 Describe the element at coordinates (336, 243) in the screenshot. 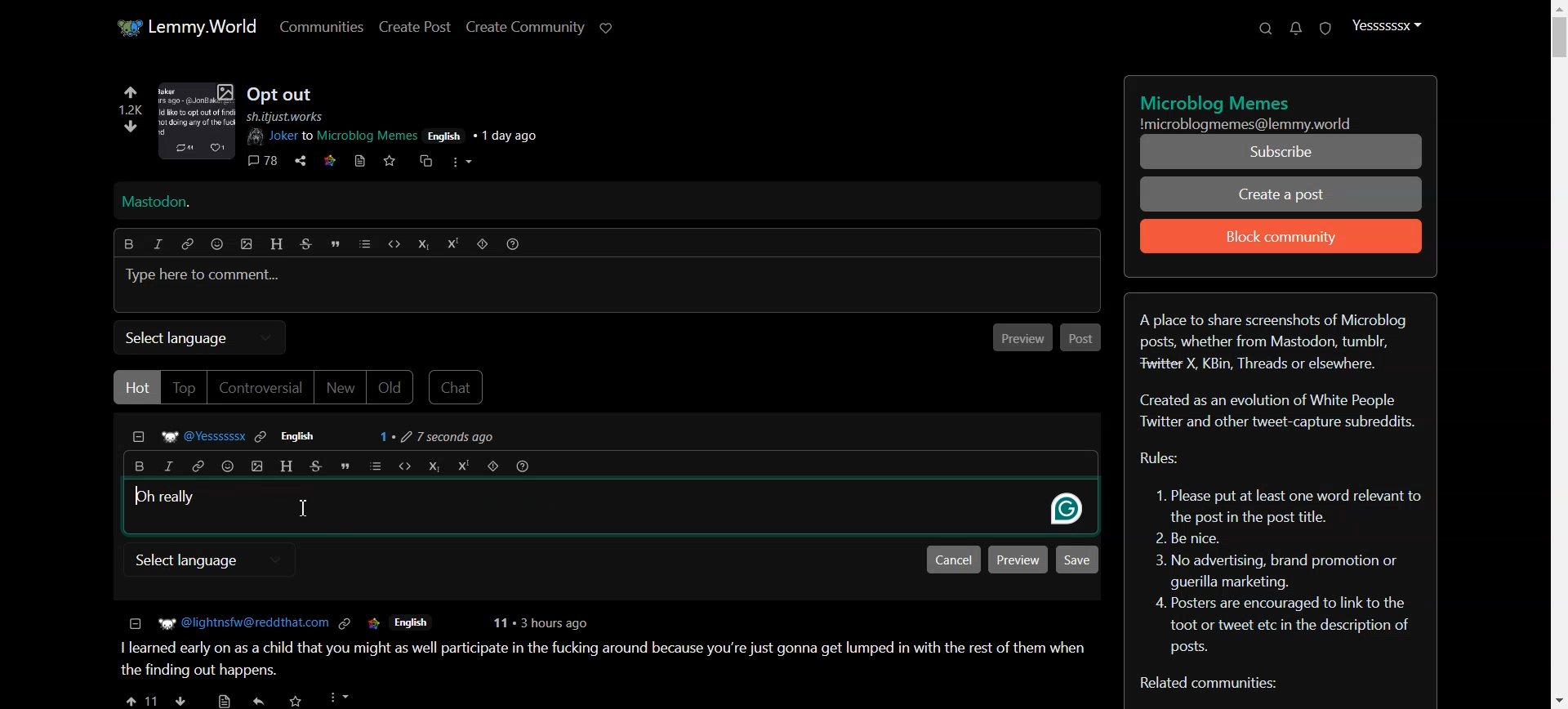

I see `Quote` at that location.